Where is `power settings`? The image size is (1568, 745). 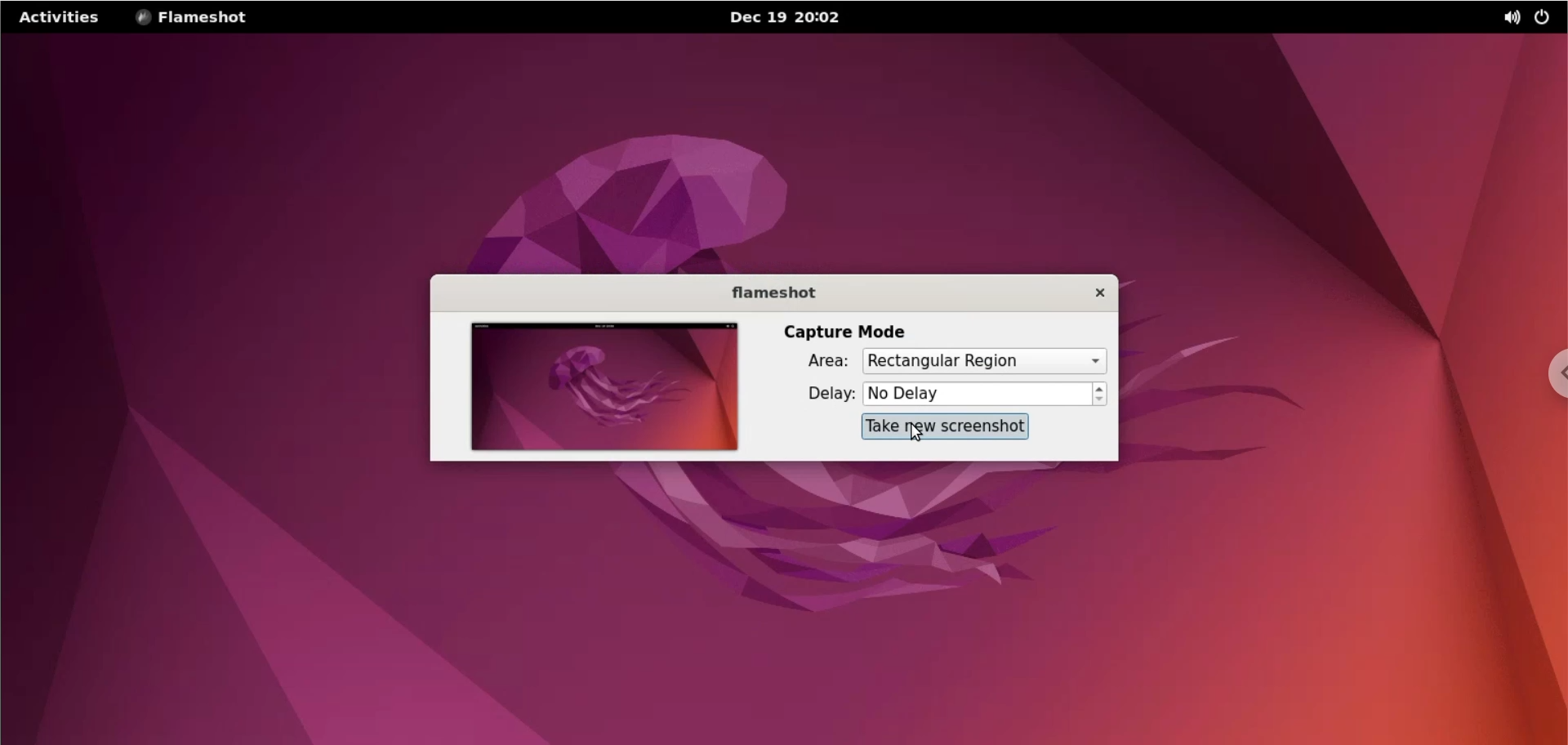
power settings is located at coordinates (1542, 18).